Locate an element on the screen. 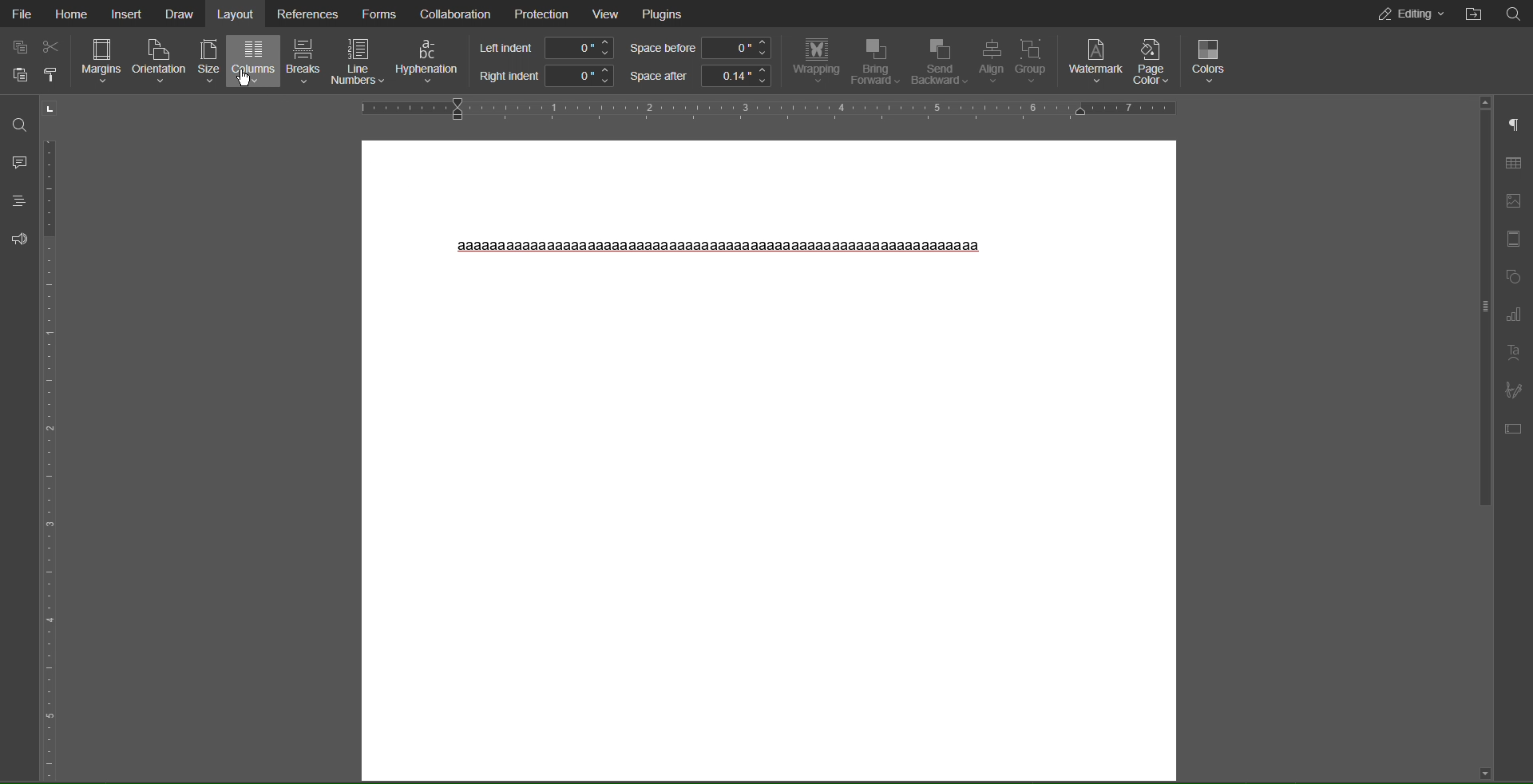  Comments is located at coordinates (16, 158).